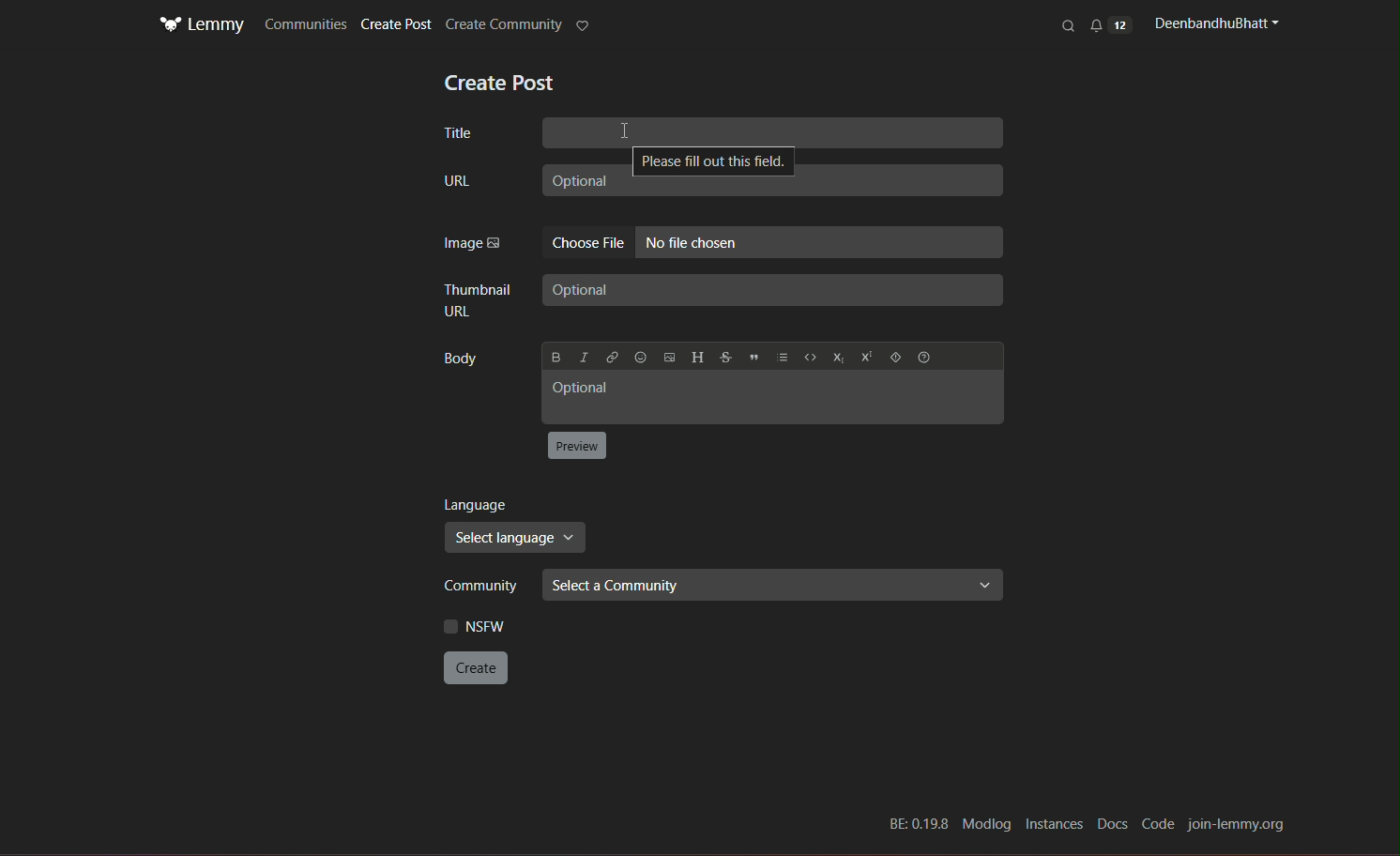 The height and width of the screenshot is (856, 1400). Describe the element at coordinates (774, 289) in the screenshot. I see `Optional` at that location.